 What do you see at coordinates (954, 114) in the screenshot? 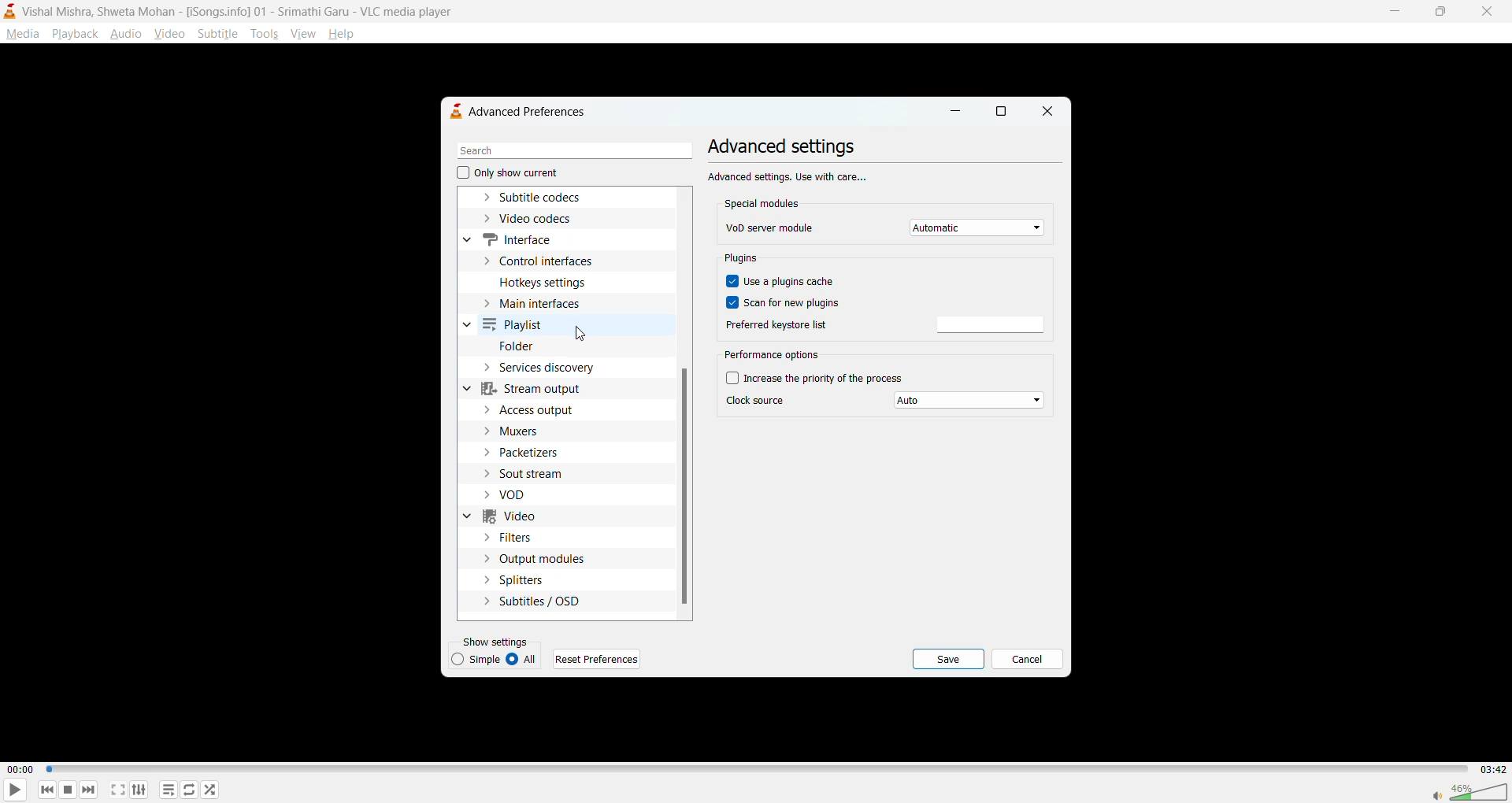
I see `minimize` at bounding box center [954, 114].